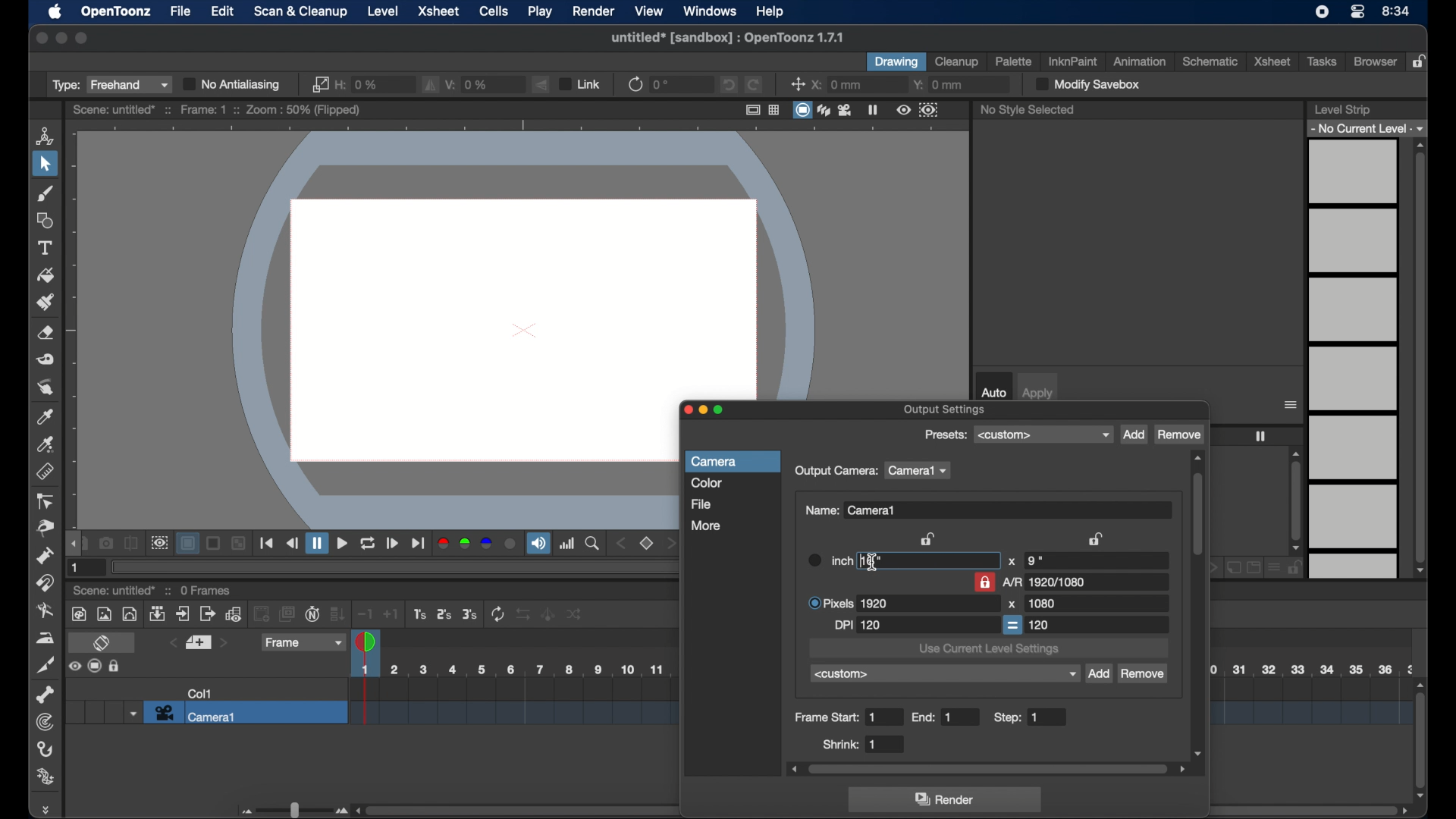 Image resolution: width=1456 pixels, height=819 pixels. Describe the element at coordinates (1040, 624) in the screenshot. I see `120` at that location.